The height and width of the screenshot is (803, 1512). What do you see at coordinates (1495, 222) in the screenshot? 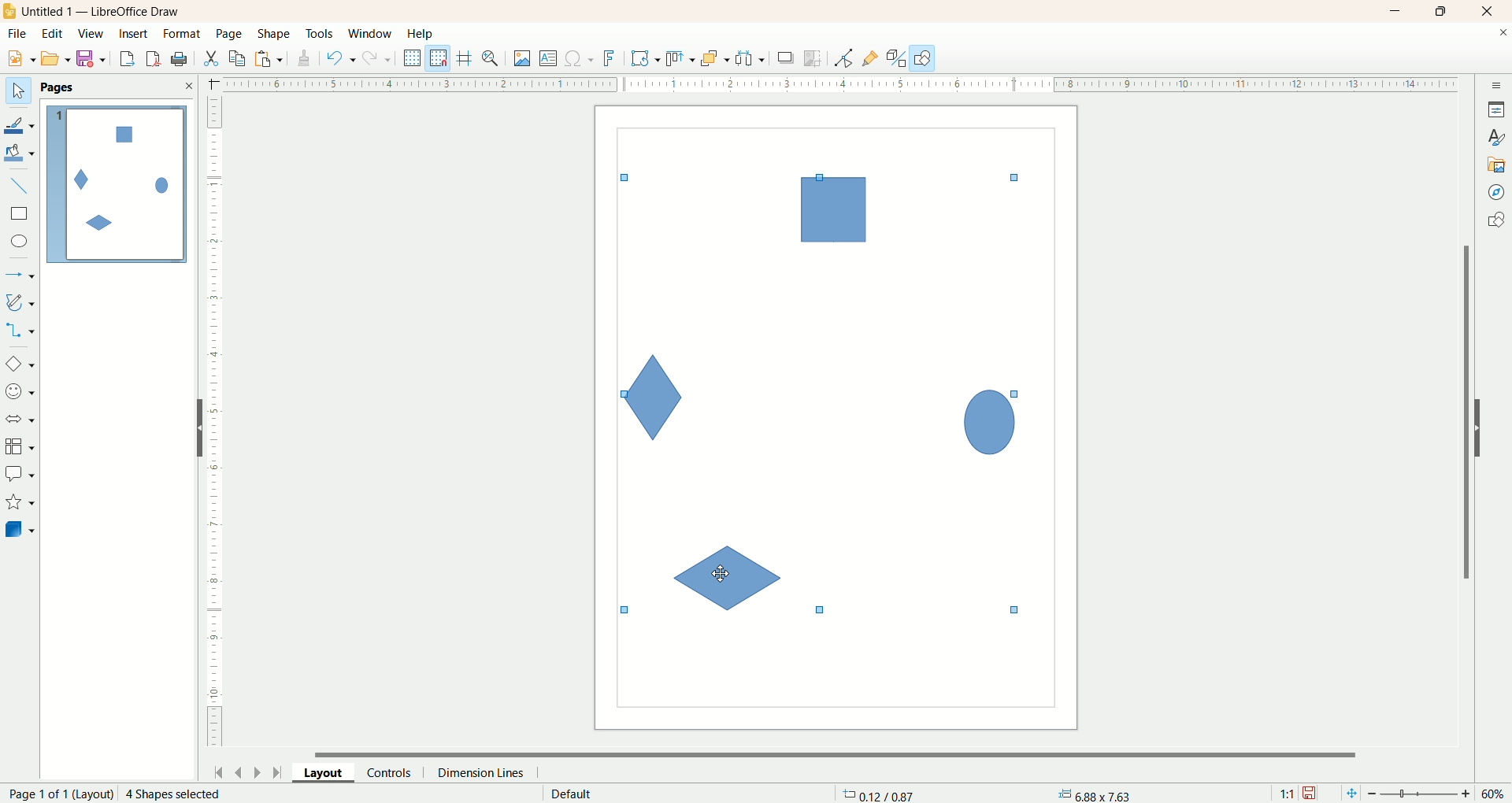
I see `shapes` at bounding box center [1495, 222].